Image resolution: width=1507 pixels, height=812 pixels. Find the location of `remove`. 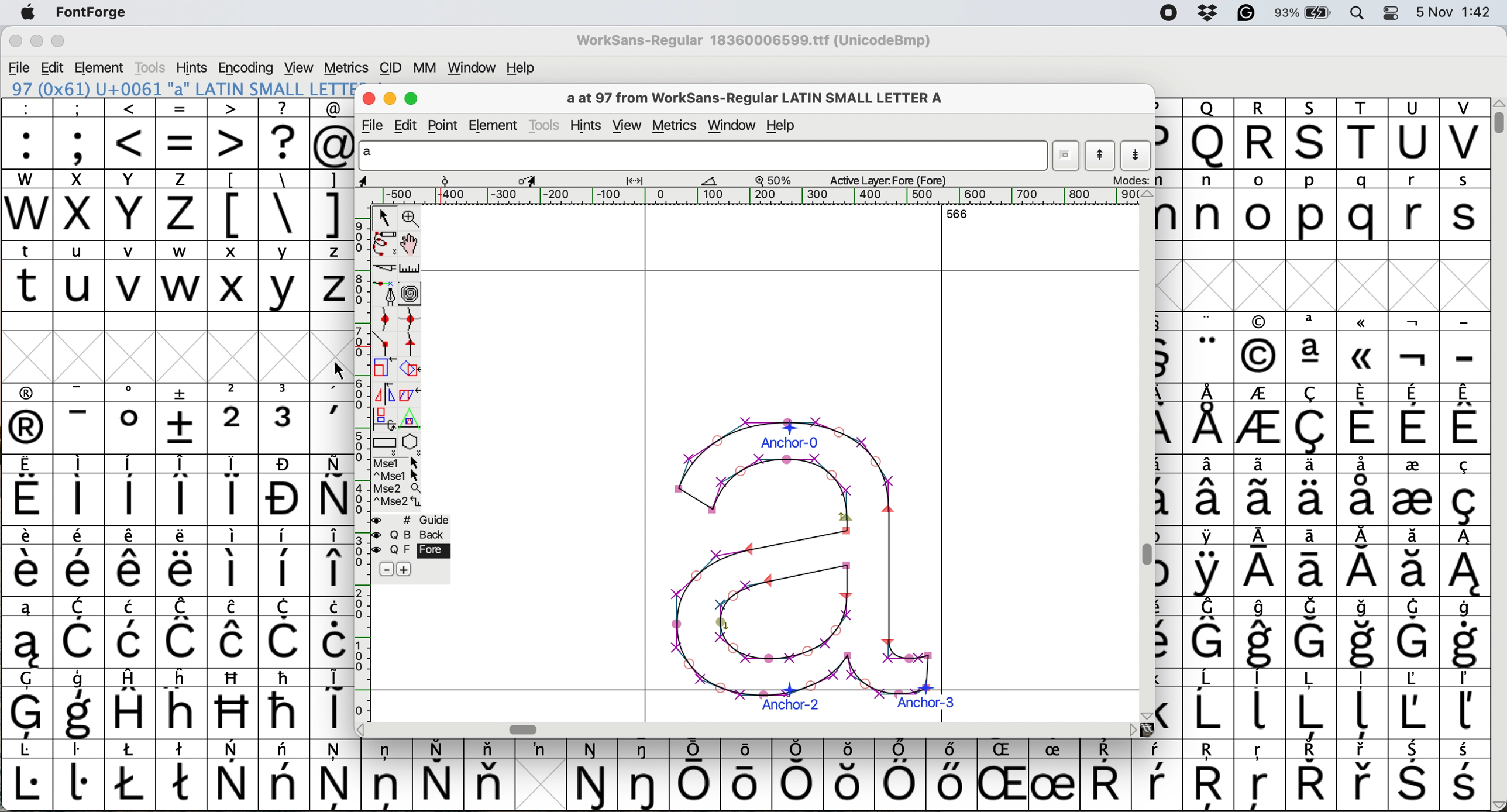

remove is located at coordinates (388, 570).